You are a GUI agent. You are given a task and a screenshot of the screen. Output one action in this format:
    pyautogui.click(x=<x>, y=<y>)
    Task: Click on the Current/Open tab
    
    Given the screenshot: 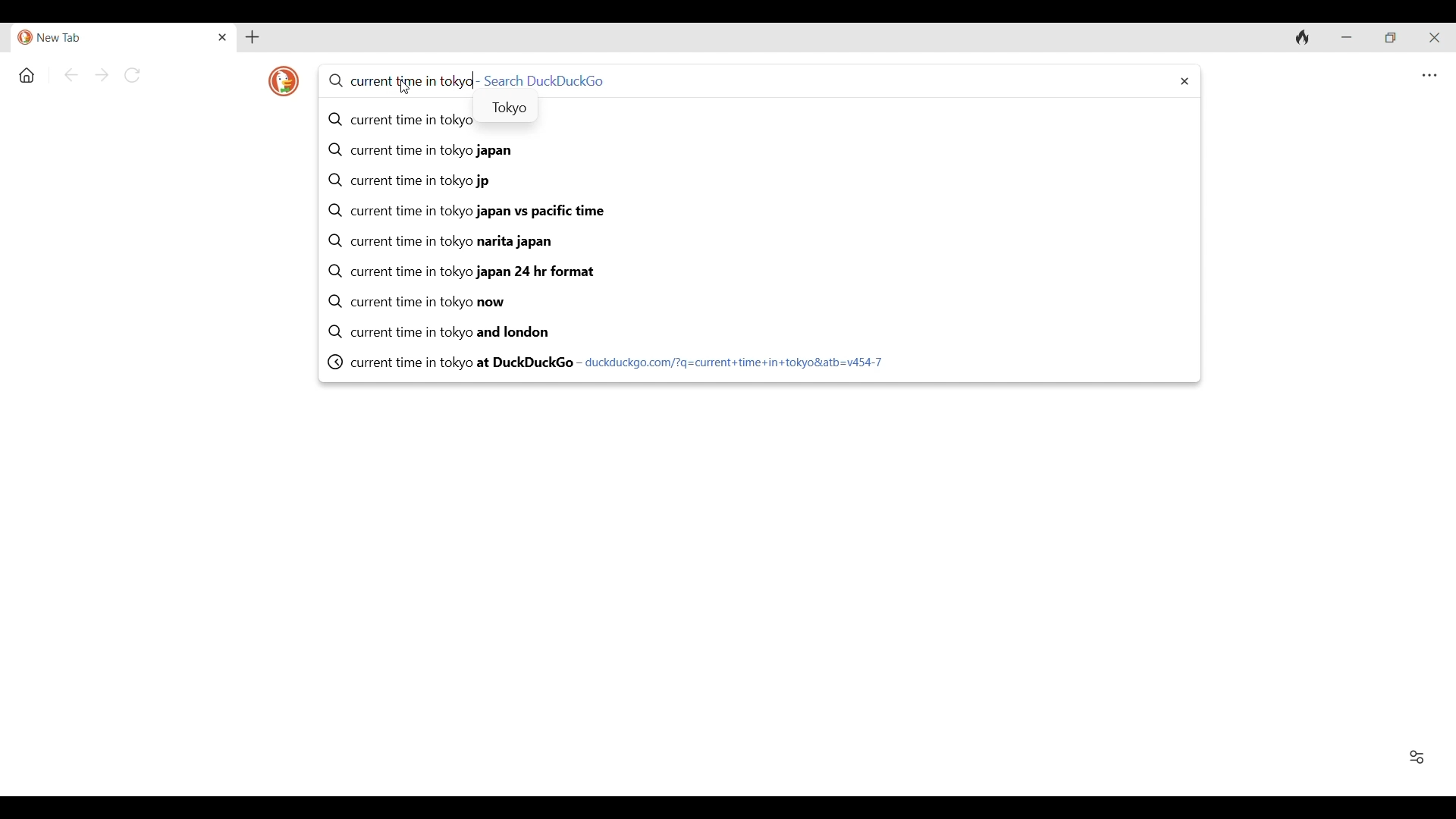 What is the action you would take?
    pyautogui.click(x=112, y=38)
    